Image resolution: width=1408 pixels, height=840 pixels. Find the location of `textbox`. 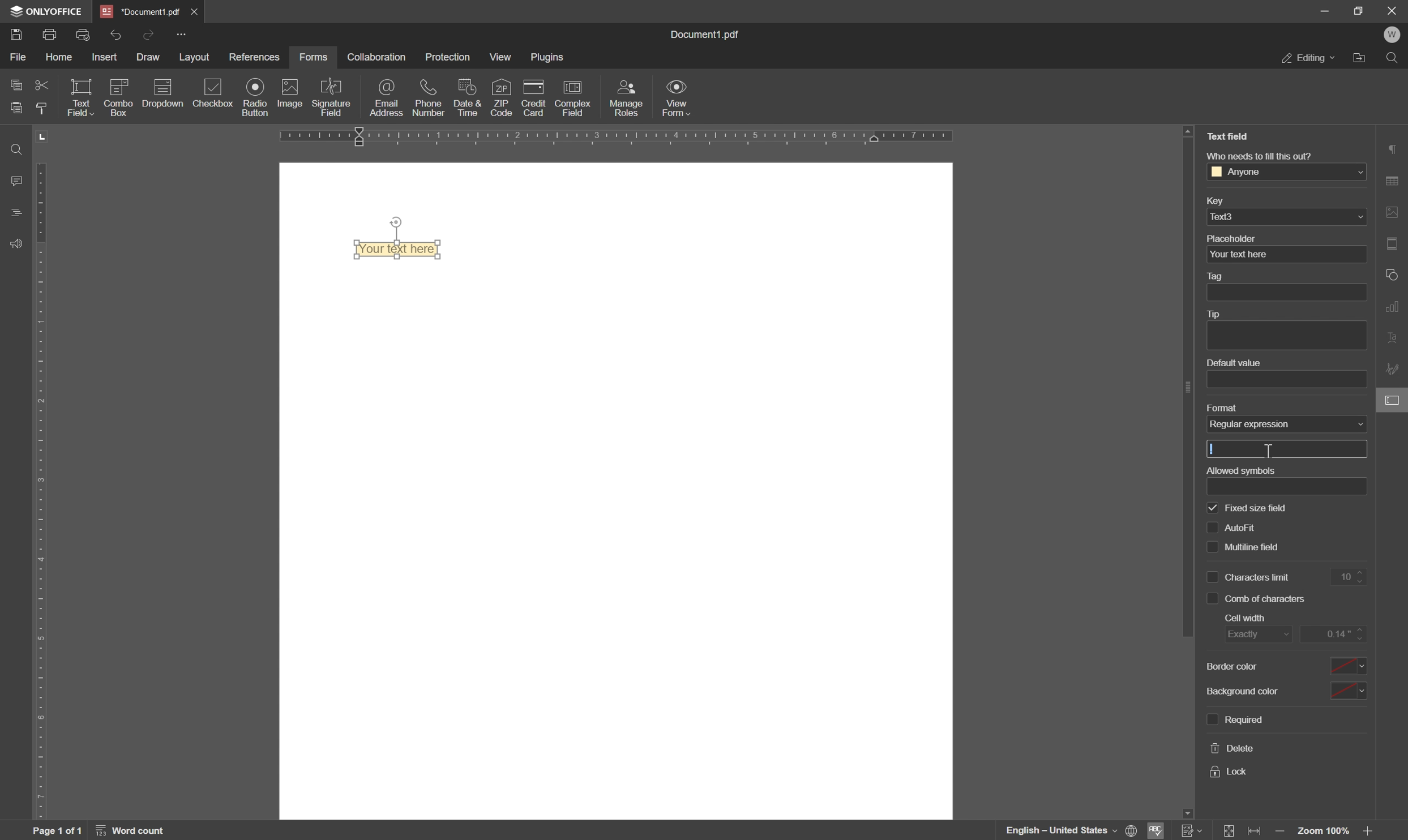

textbox is located at coordinates (1294, 486).